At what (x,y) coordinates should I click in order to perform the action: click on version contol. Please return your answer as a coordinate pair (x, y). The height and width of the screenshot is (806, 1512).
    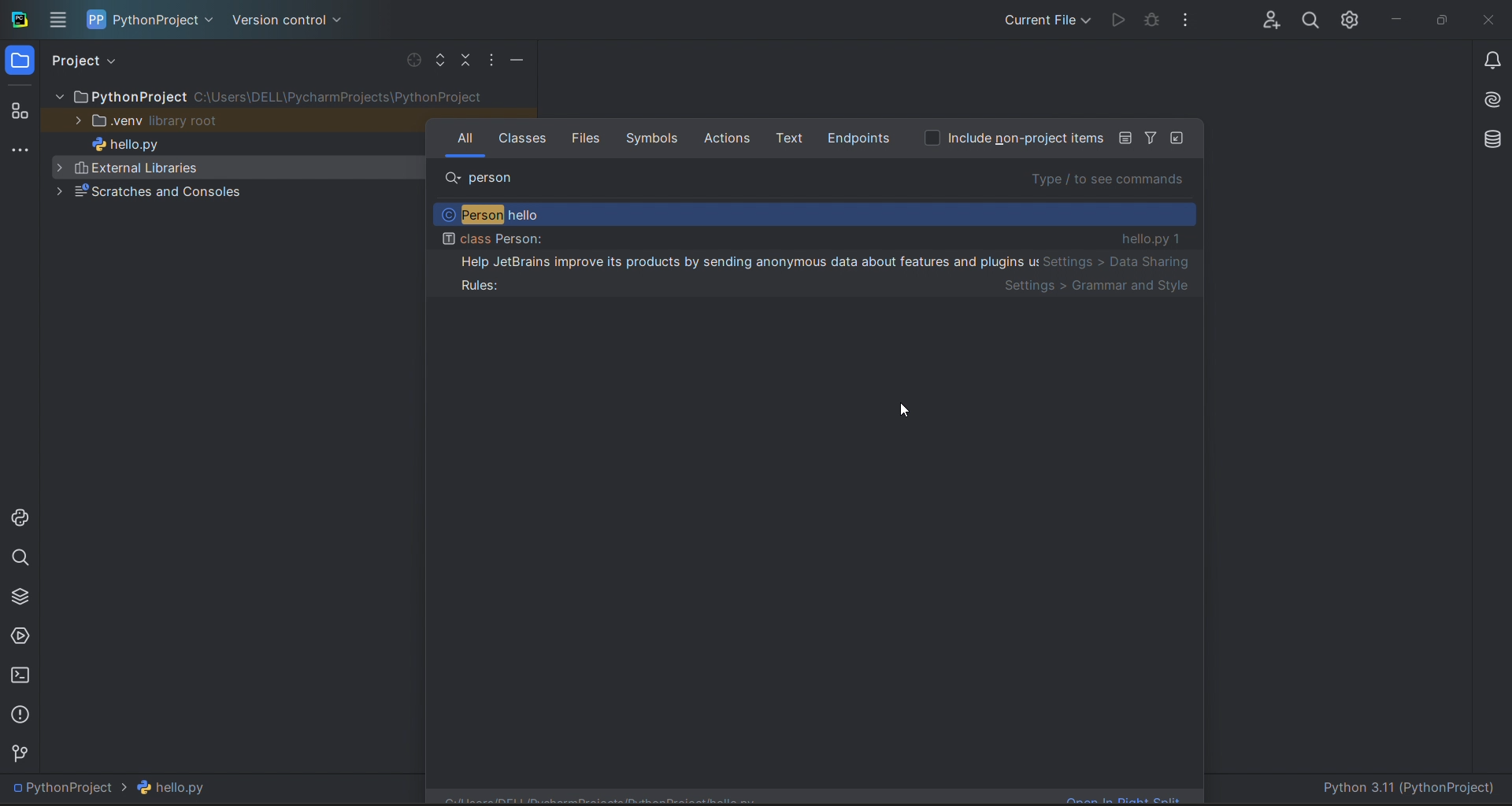
    Looking at the image, I should click on (22, 755).